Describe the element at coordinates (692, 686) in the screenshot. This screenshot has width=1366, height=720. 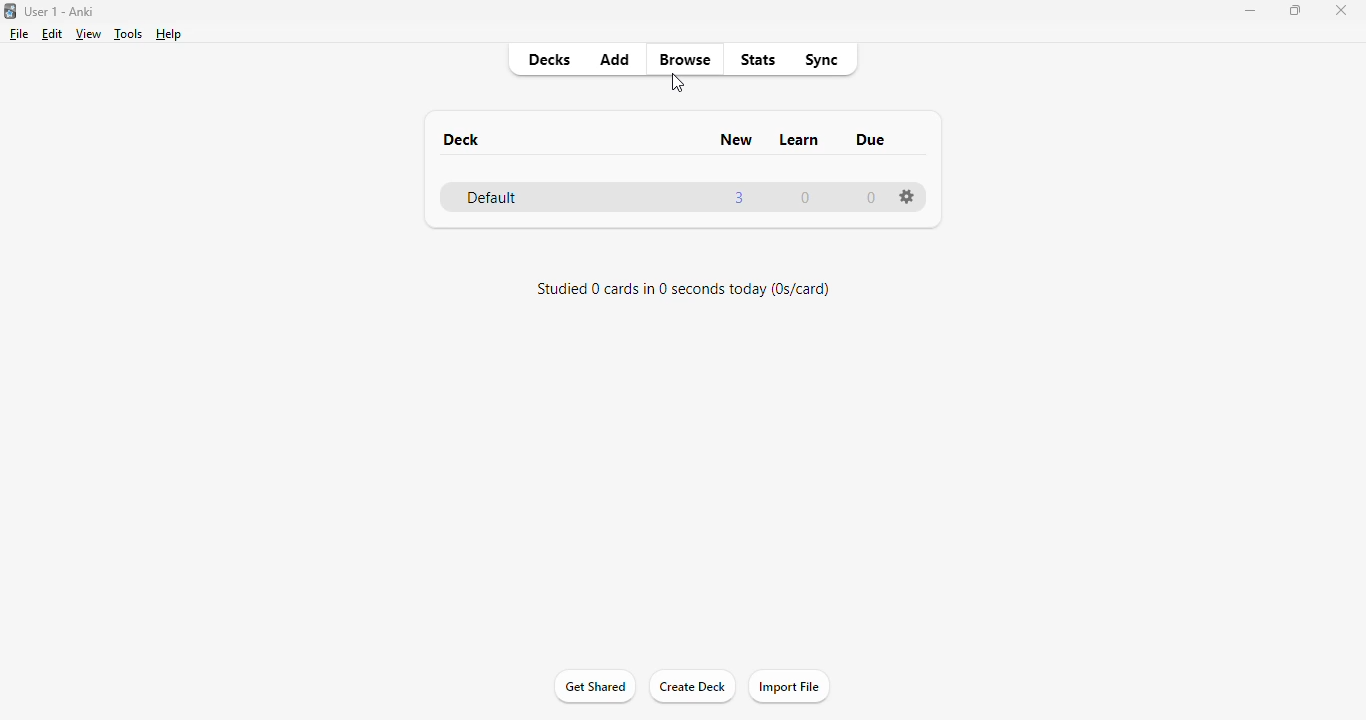
I see `create deck` at that location.